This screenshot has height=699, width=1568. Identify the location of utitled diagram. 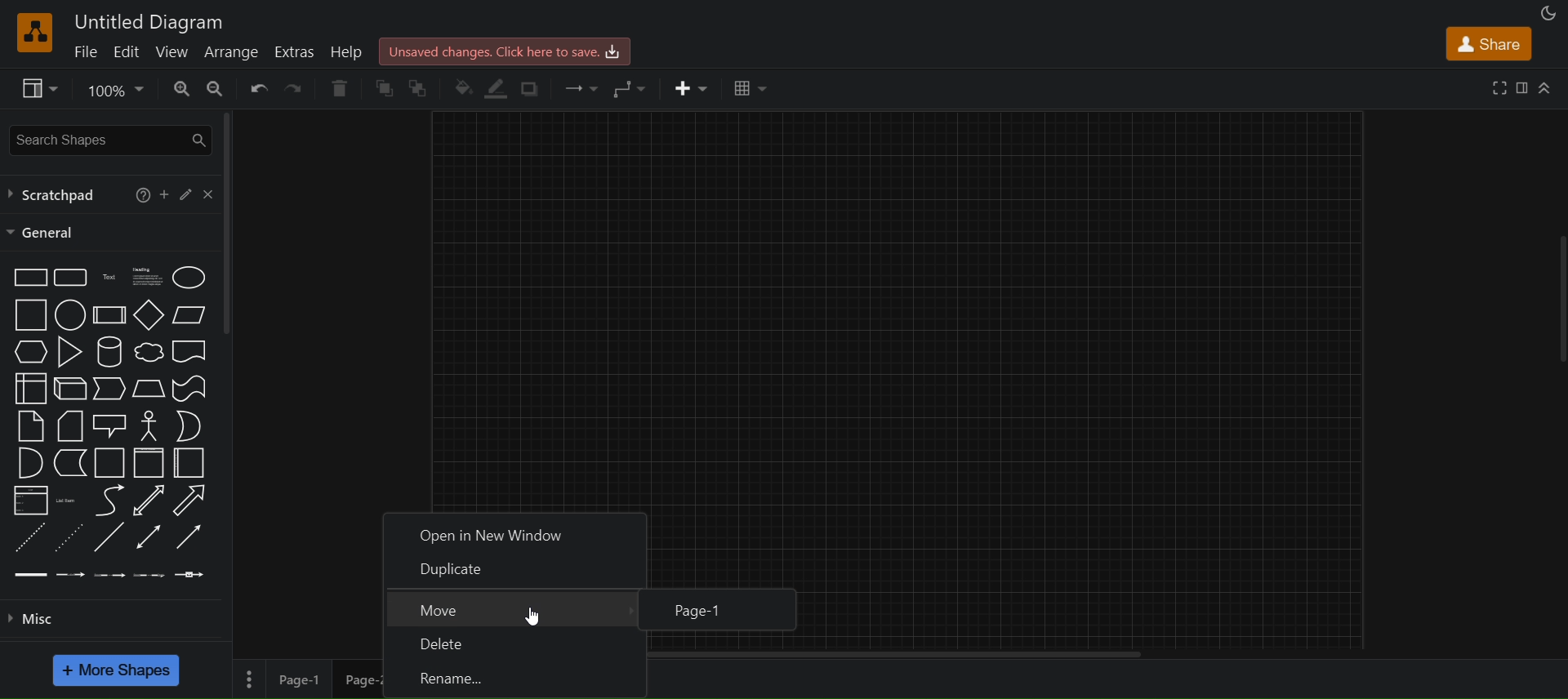
(154, 24).